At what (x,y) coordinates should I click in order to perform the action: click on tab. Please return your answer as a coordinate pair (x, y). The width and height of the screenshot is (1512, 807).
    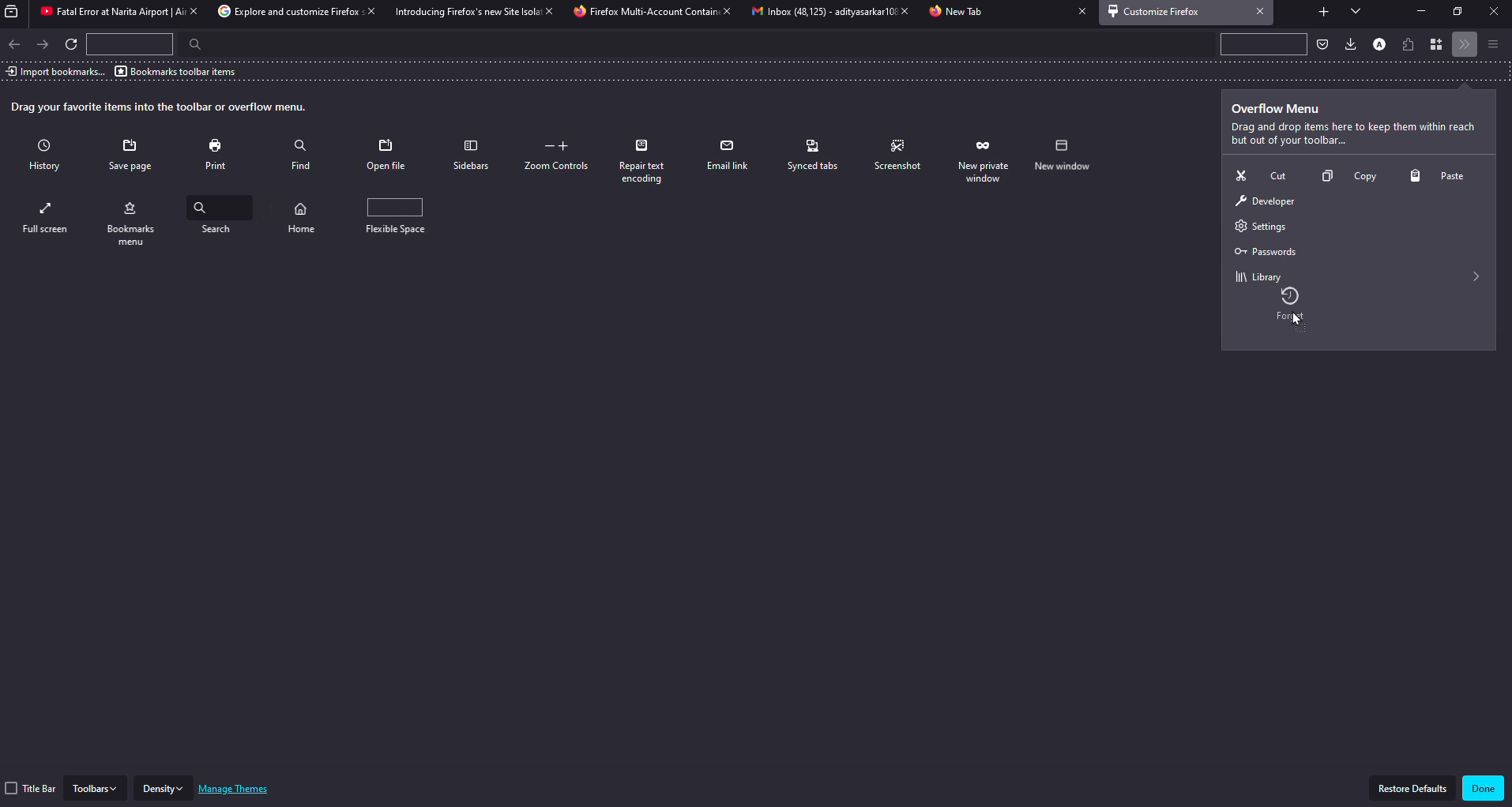
    Looking at the image, I should click on (462, 12).